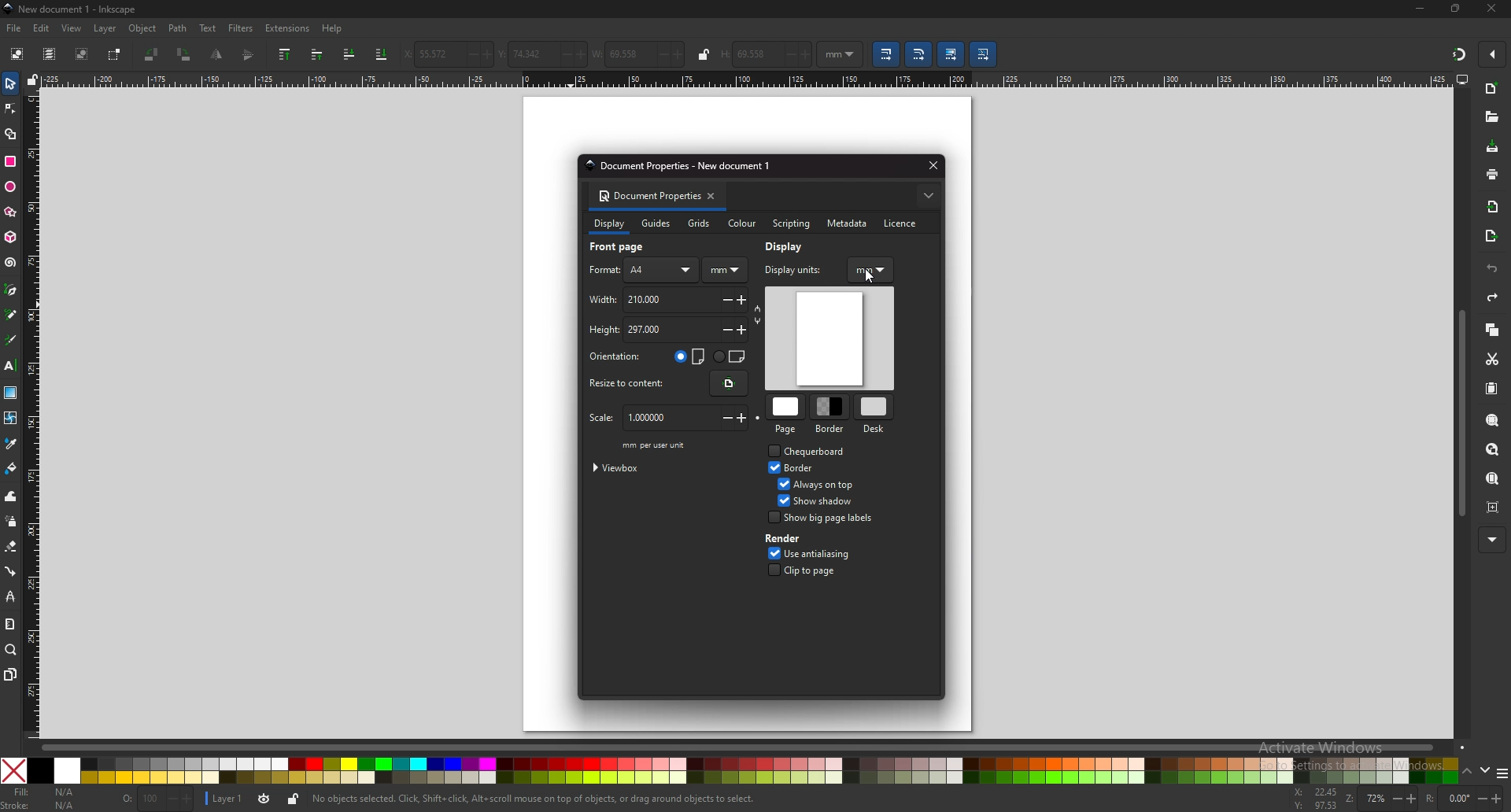 The width and height of the screenshot is (1511, 812). I want to click on paste, so click(1493, 389).